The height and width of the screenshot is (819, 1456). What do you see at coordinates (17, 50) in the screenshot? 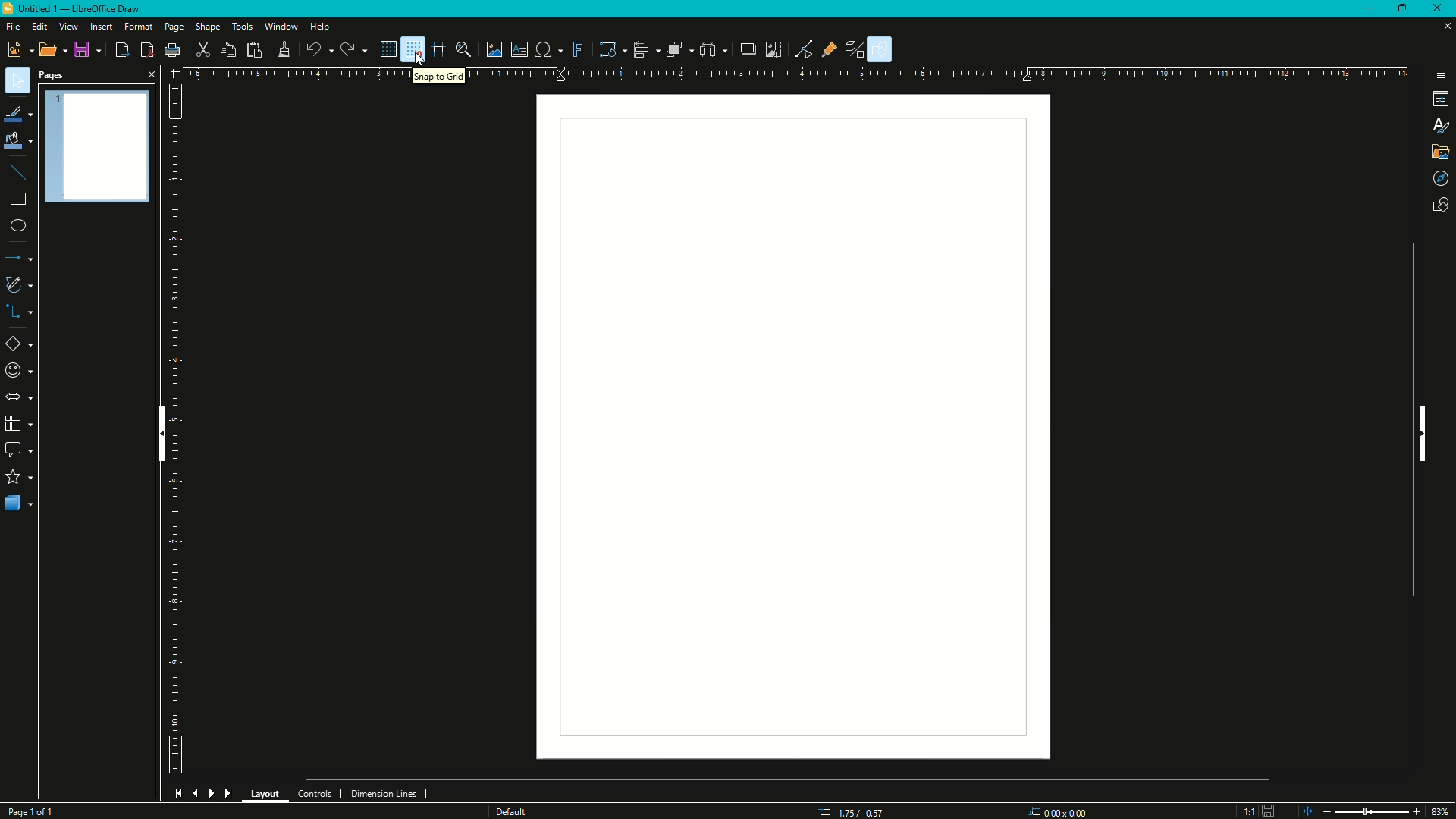
I see `New` at bounding box center [17, 50].